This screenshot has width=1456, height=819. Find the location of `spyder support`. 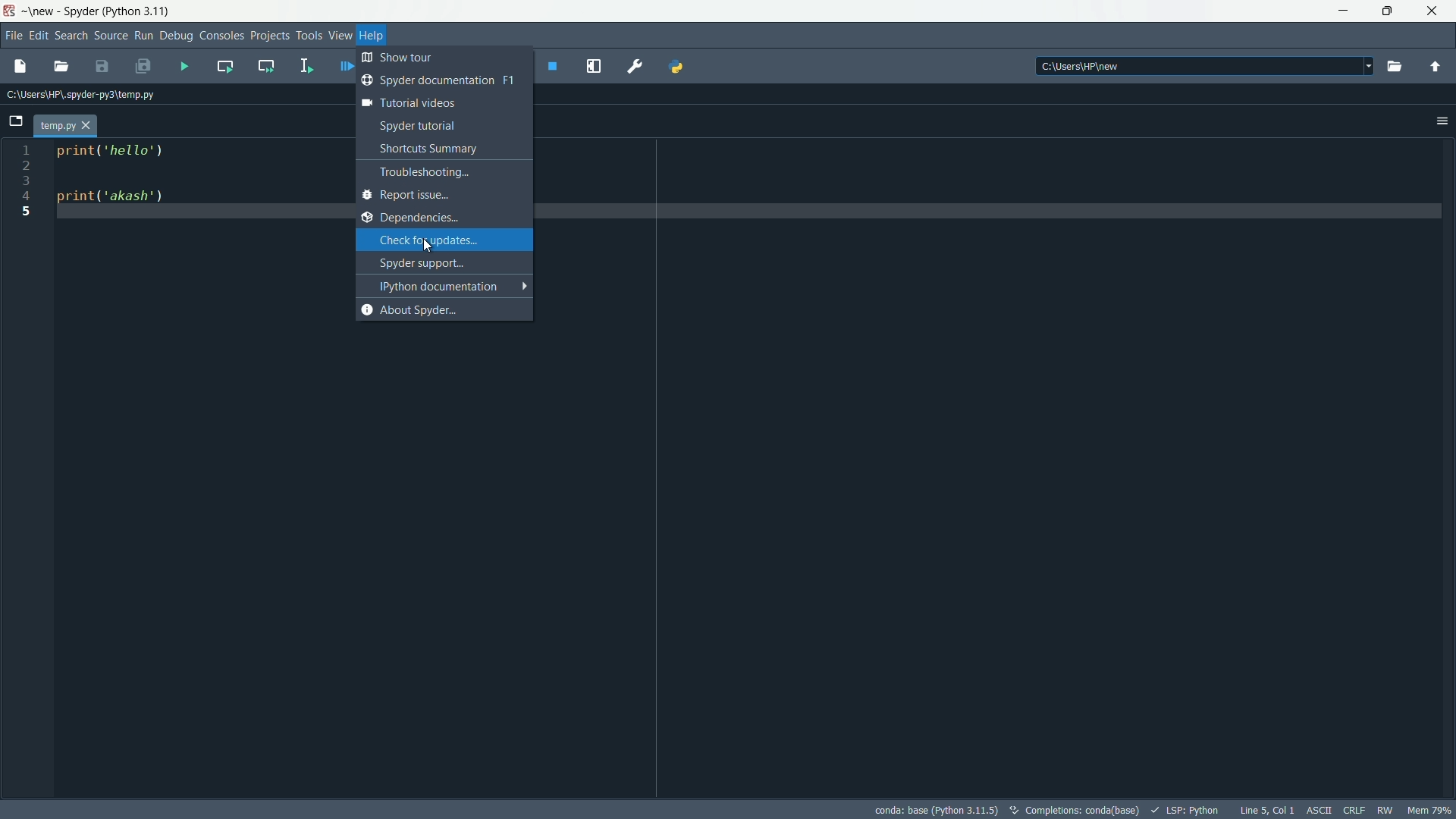

spyder support is located at coordinates (441, 262).